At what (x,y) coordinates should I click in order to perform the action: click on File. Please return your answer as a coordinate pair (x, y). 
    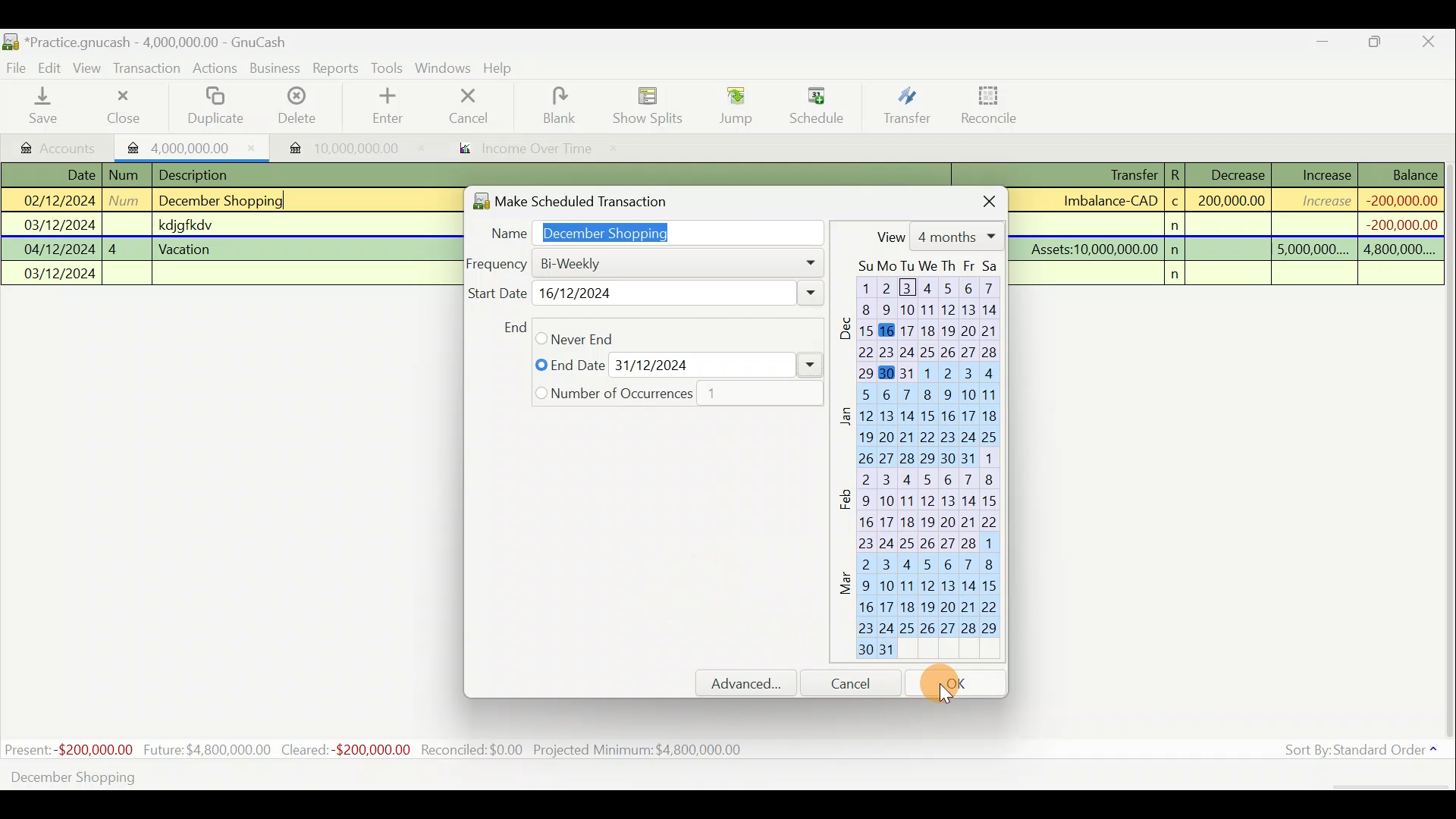
    Looking at the image, I should click on (17, 68).